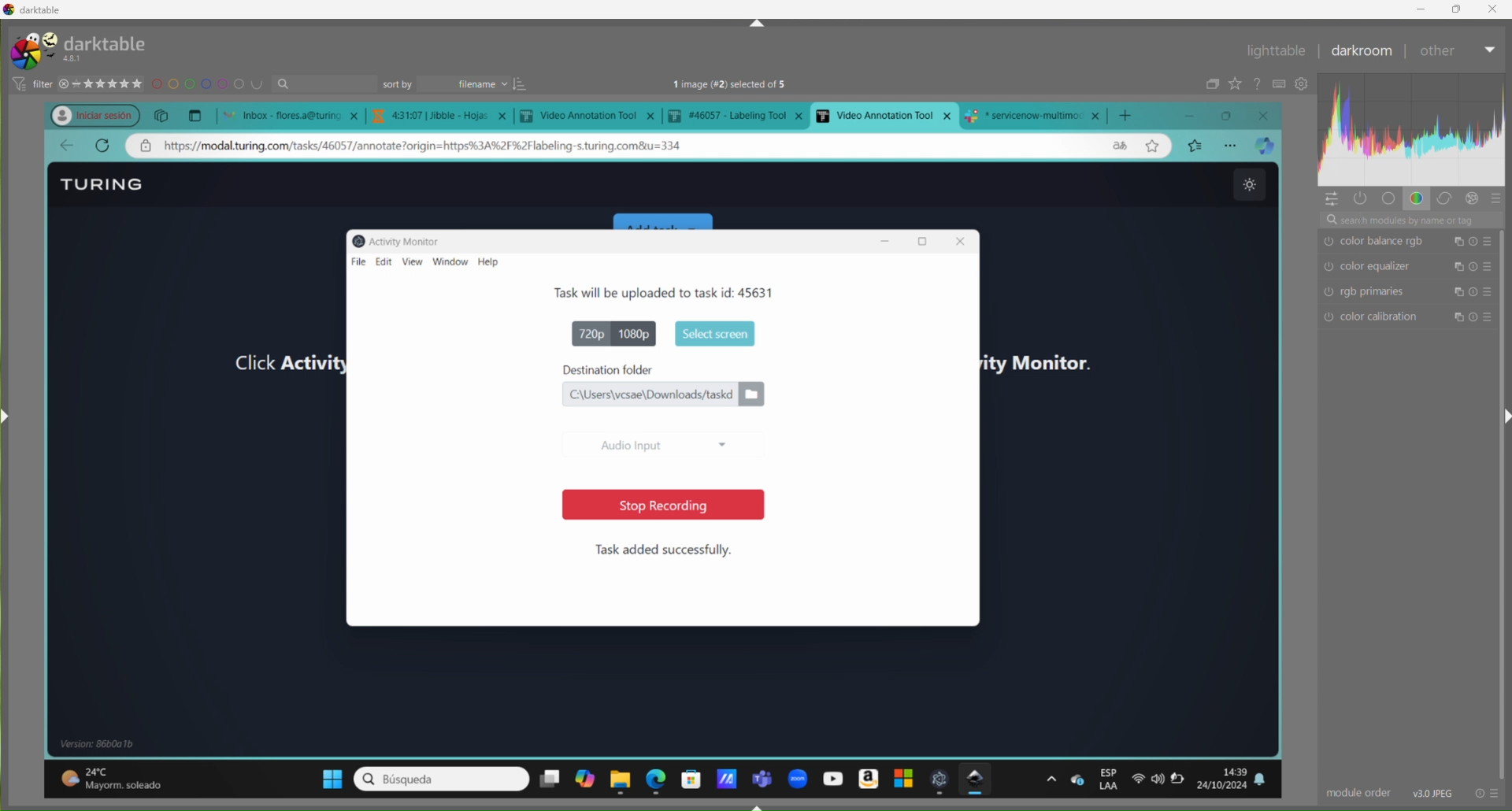  I want to click on stars, so click(102, 82).